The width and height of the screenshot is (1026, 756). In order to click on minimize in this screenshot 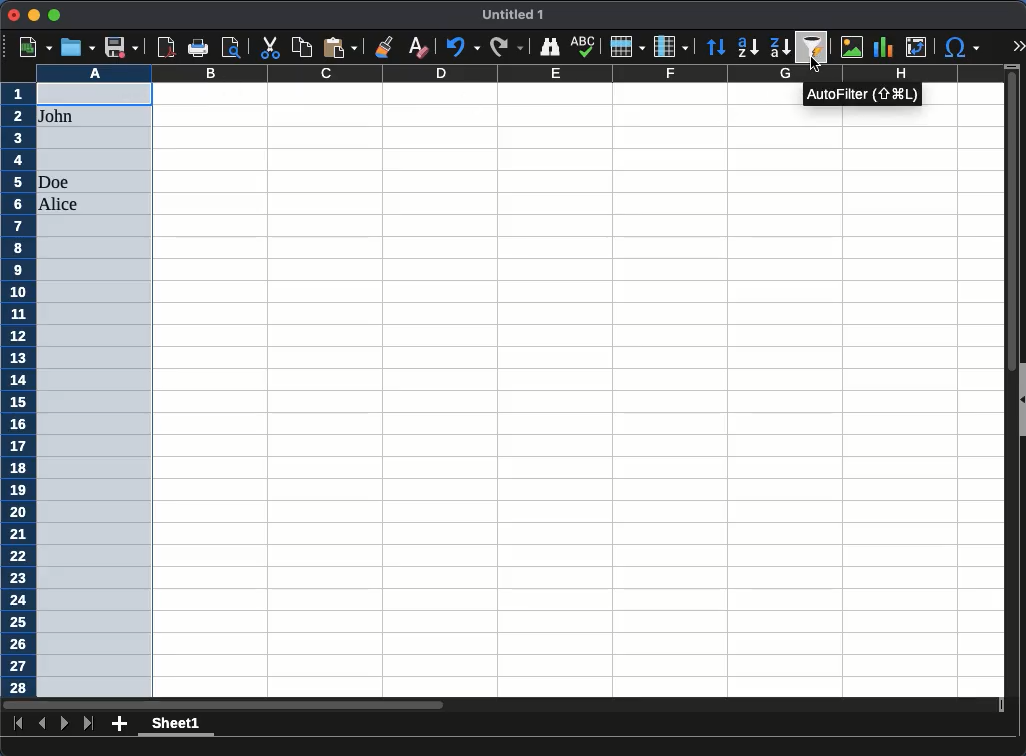, I will do `click(33, 15)`.